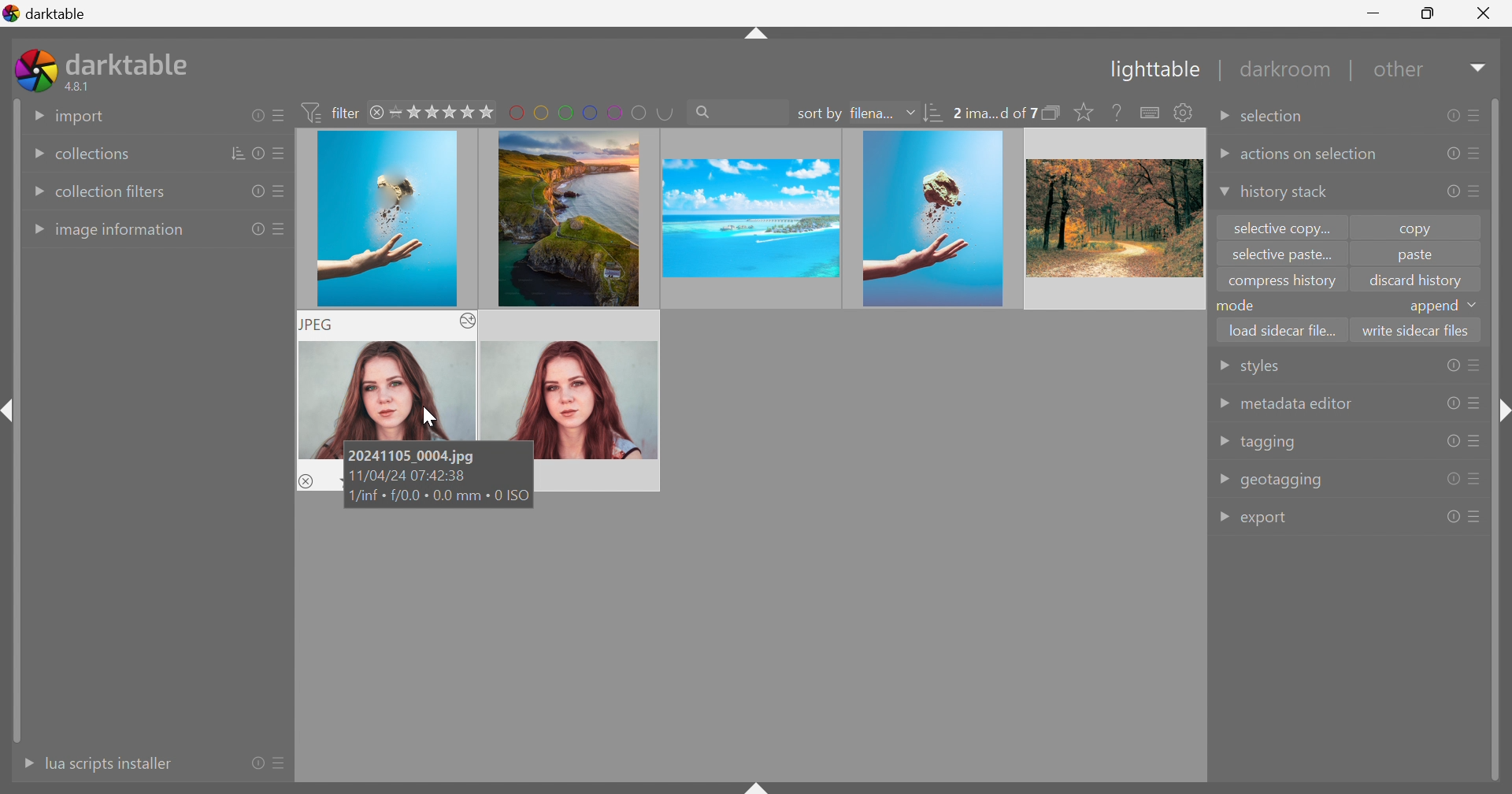  Describe the element at coordinates (1223, 518) in the screenshot. I see `Drop Down` at that location.